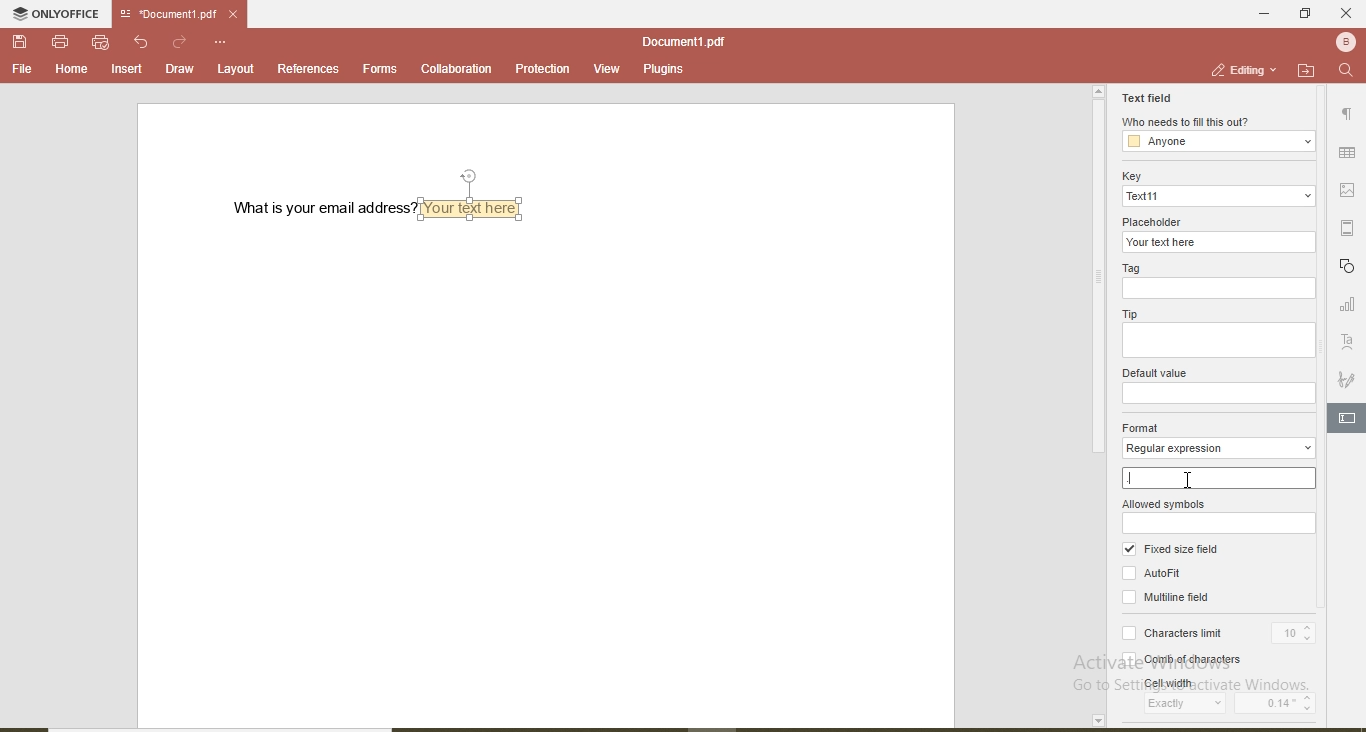 The height and width of the screenshot is (732, 1366). I want to click on key, so click(1129, 176).